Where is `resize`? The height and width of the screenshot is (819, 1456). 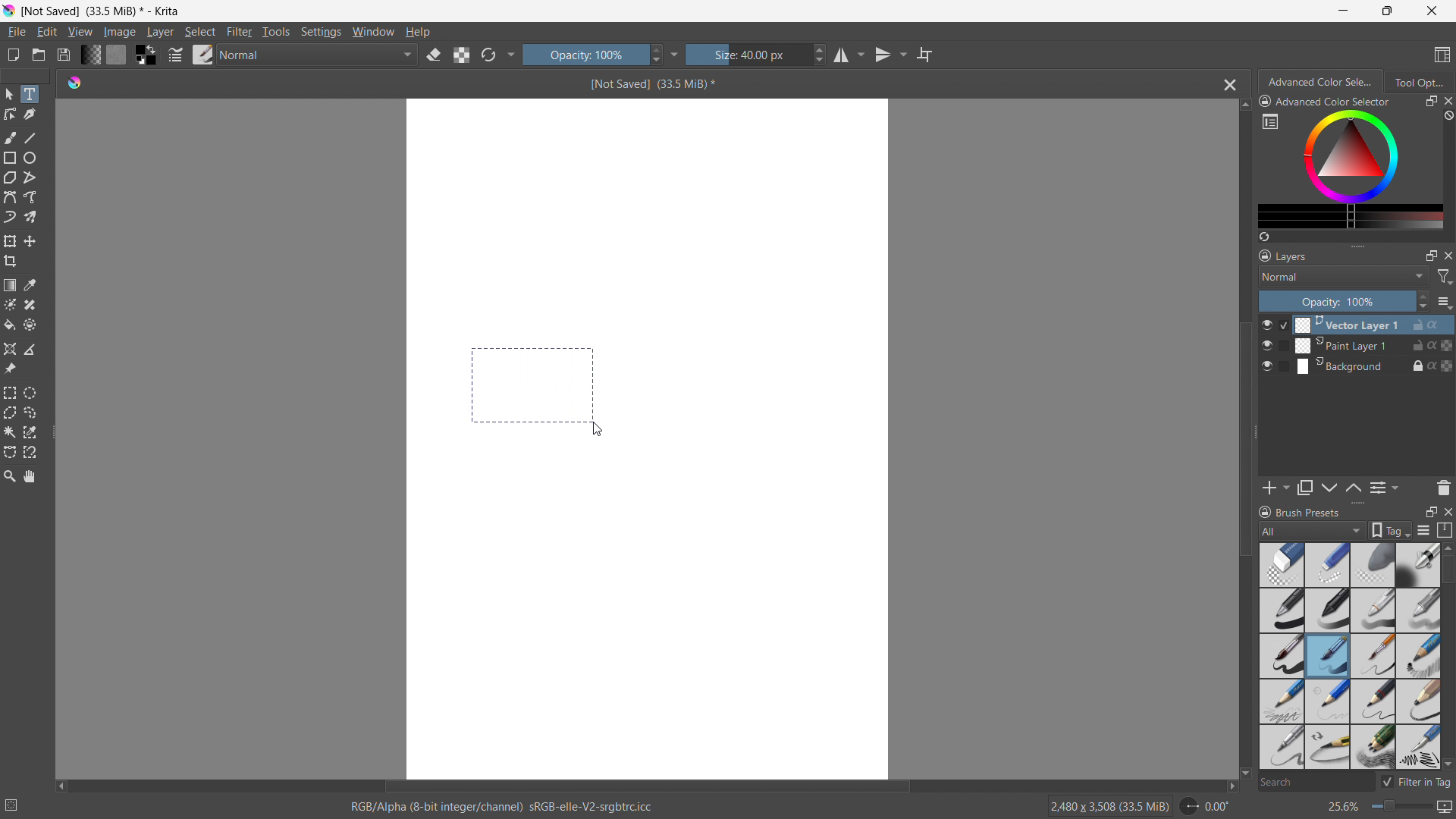 resize is located at coordinates (1357, 244).